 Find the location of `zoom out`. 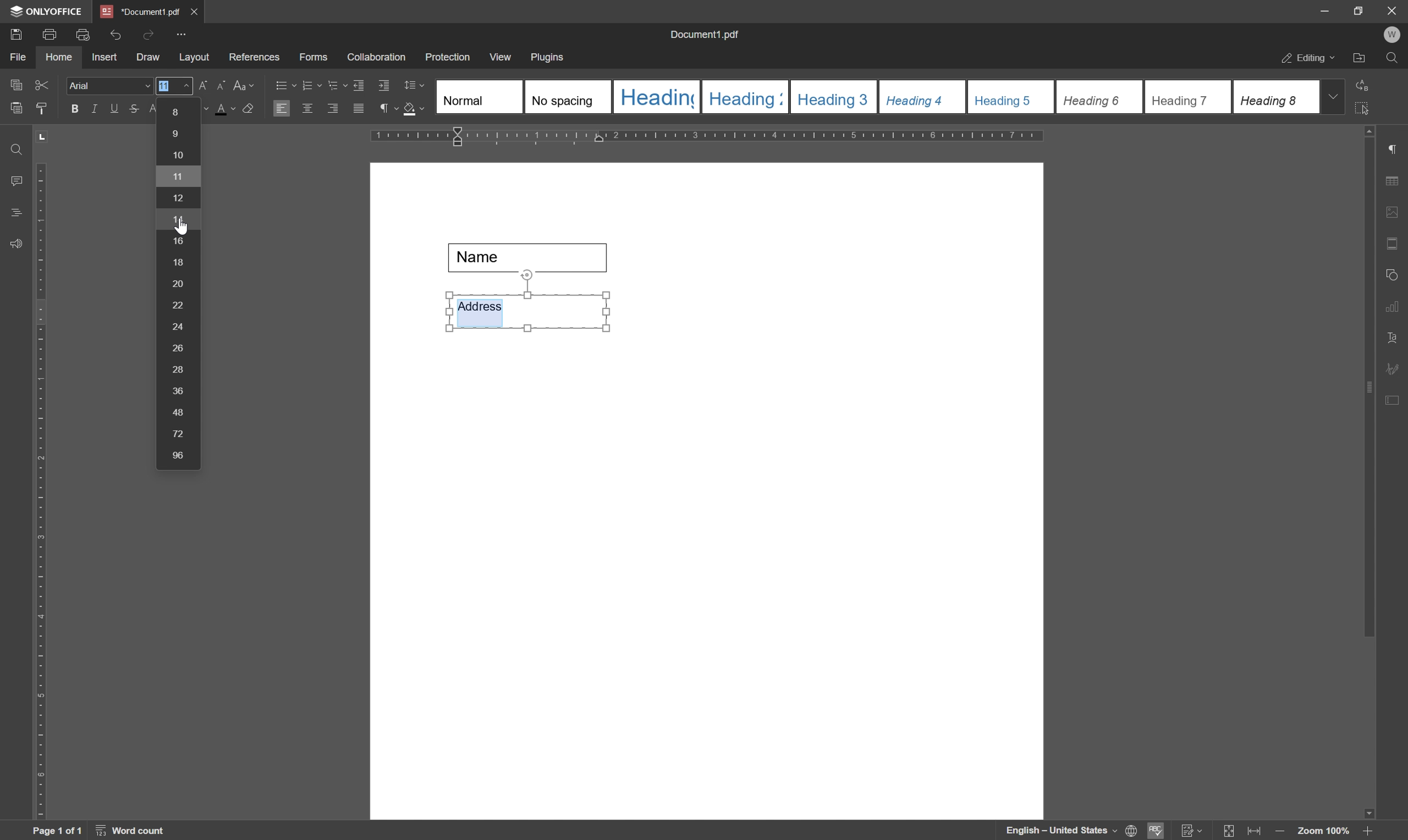

zoom out is located at coordinates (1282, 832).